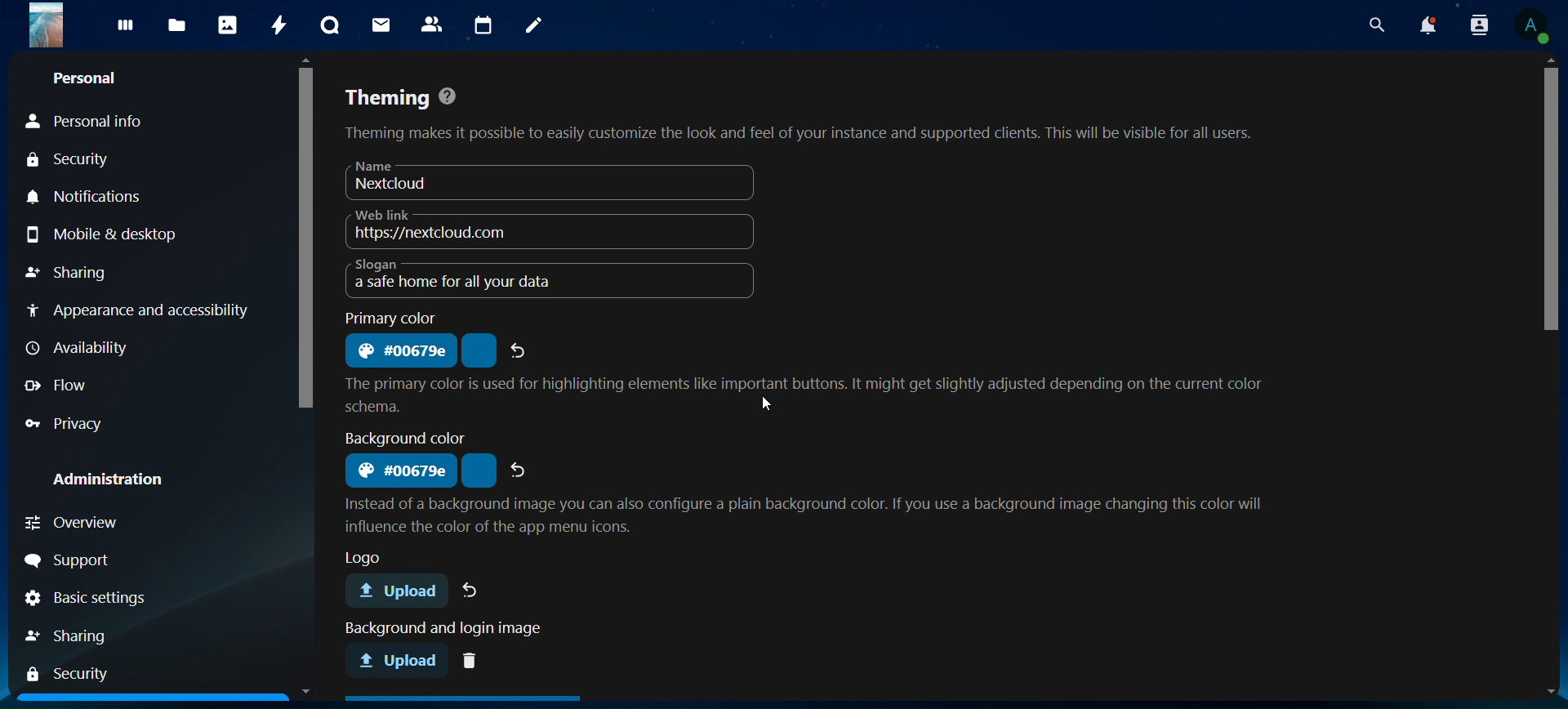  Describe the element at coordinates (78, 272) in the screenshot. I see `sharing` at that location.